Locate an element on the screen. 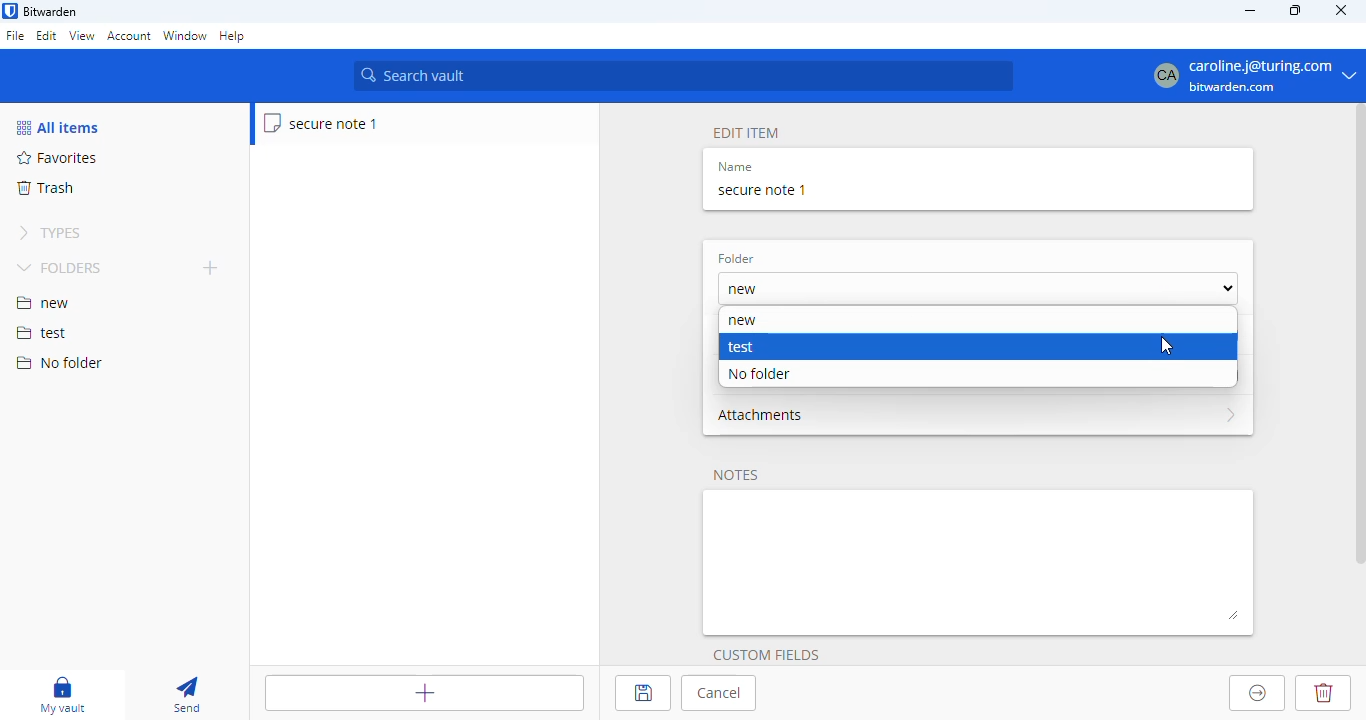  test is located at coordinates (42, 334).